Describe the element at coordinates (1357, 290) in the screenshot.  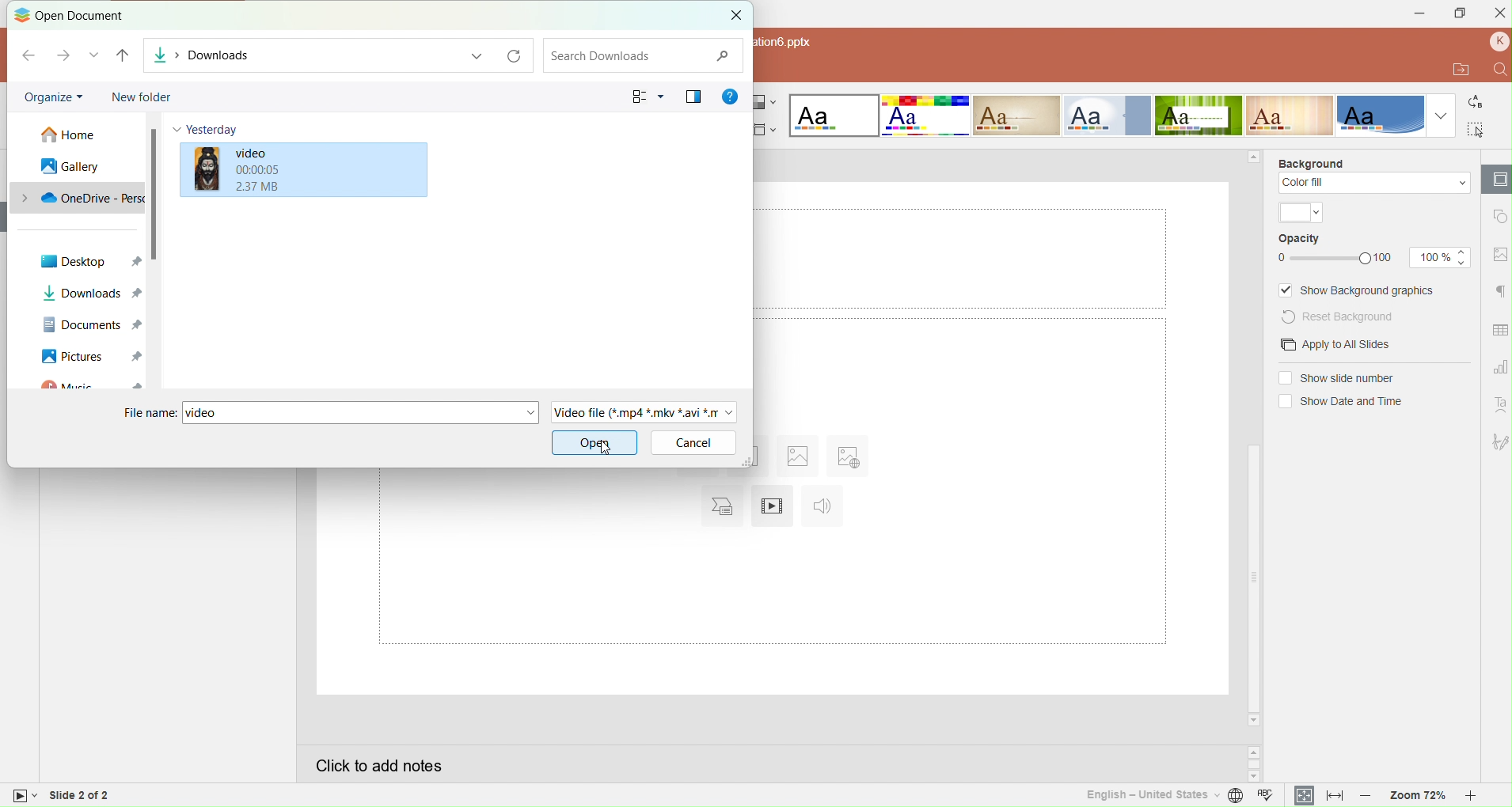
I see `Show background graphics` at that location.